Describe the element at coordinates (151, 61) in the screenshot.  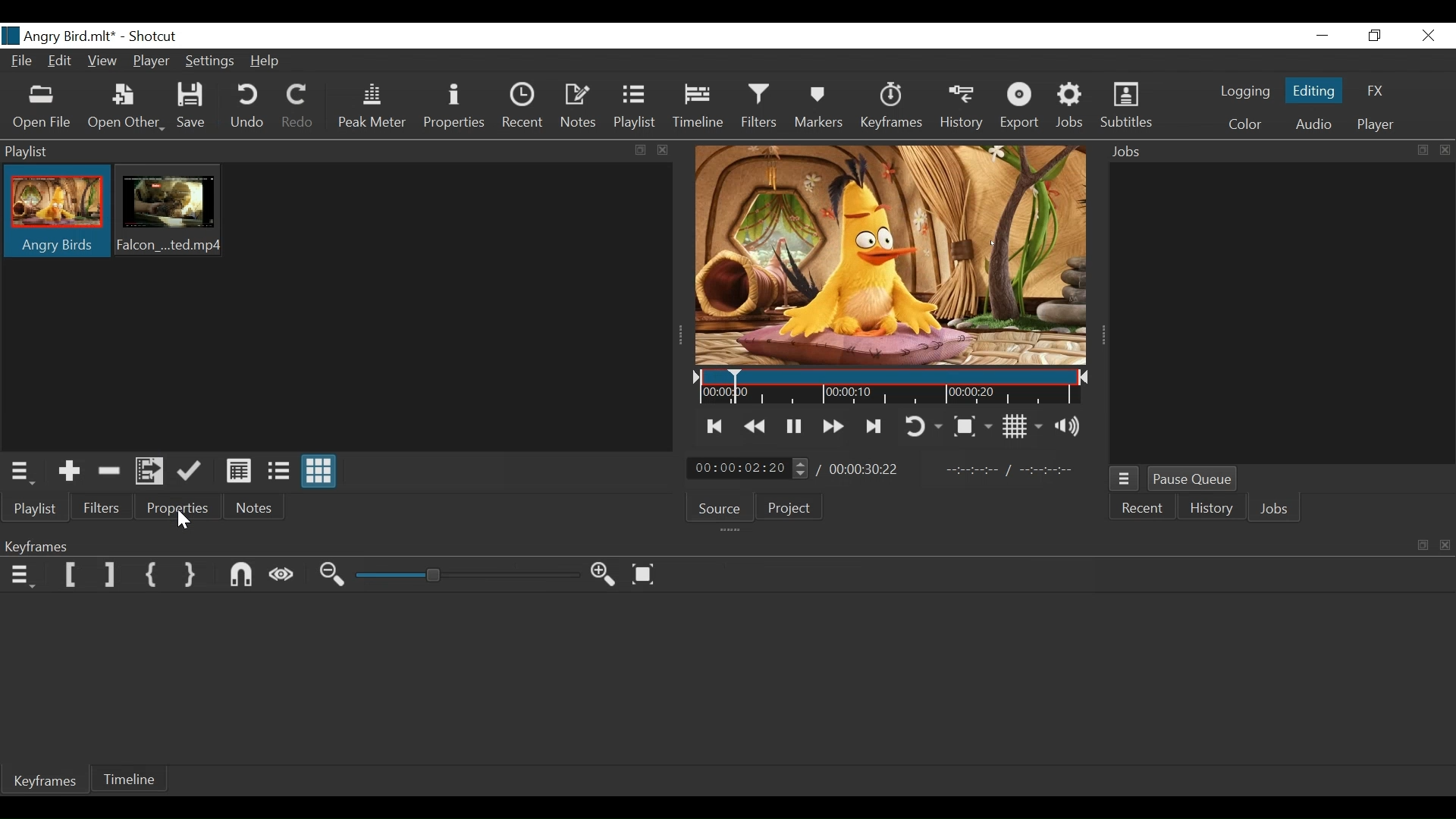
I see `Player` at that location.